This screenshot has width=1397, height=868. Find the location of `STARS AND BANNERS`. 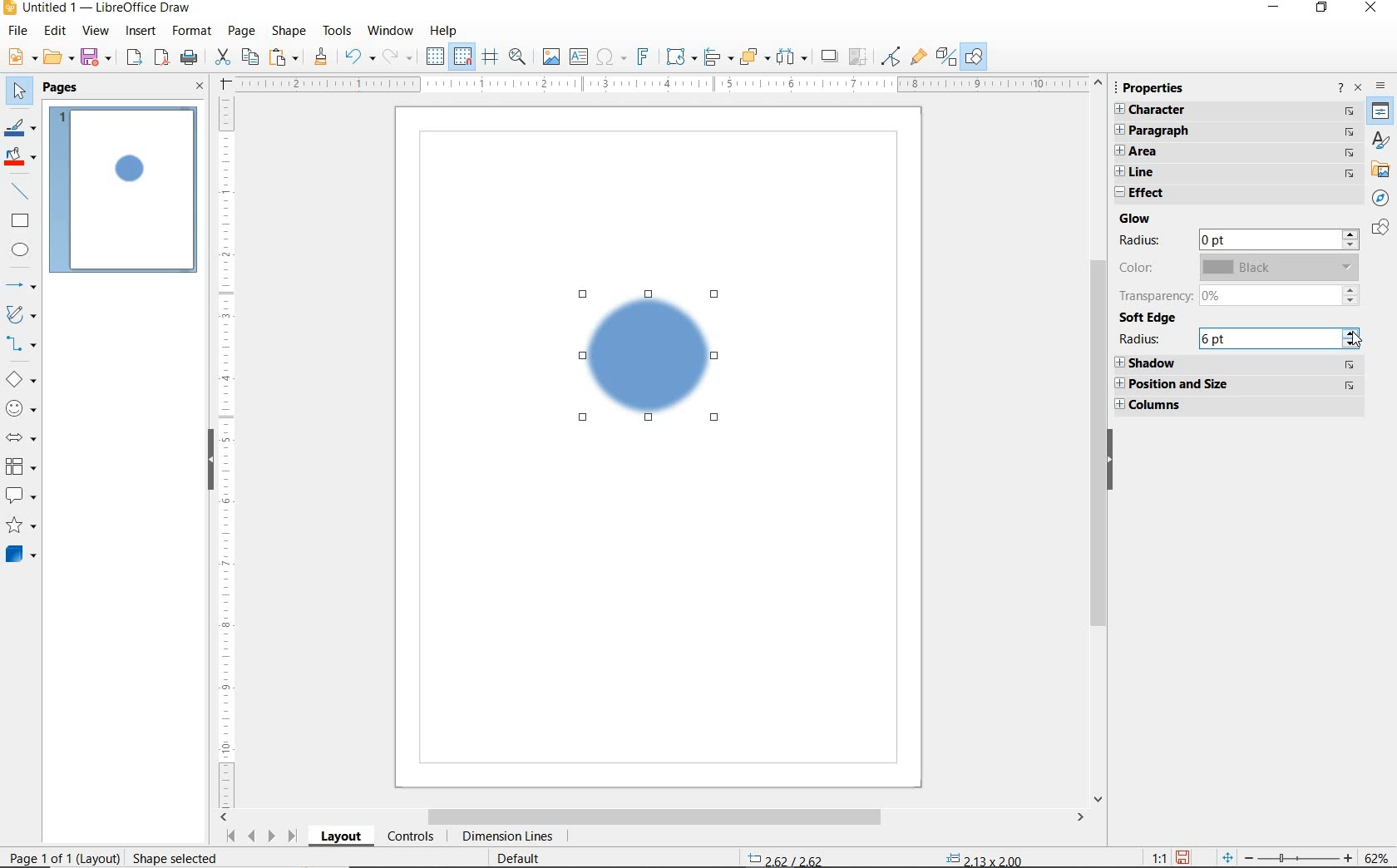

STARS AND BANNERS is located at coordinates (21, 526).